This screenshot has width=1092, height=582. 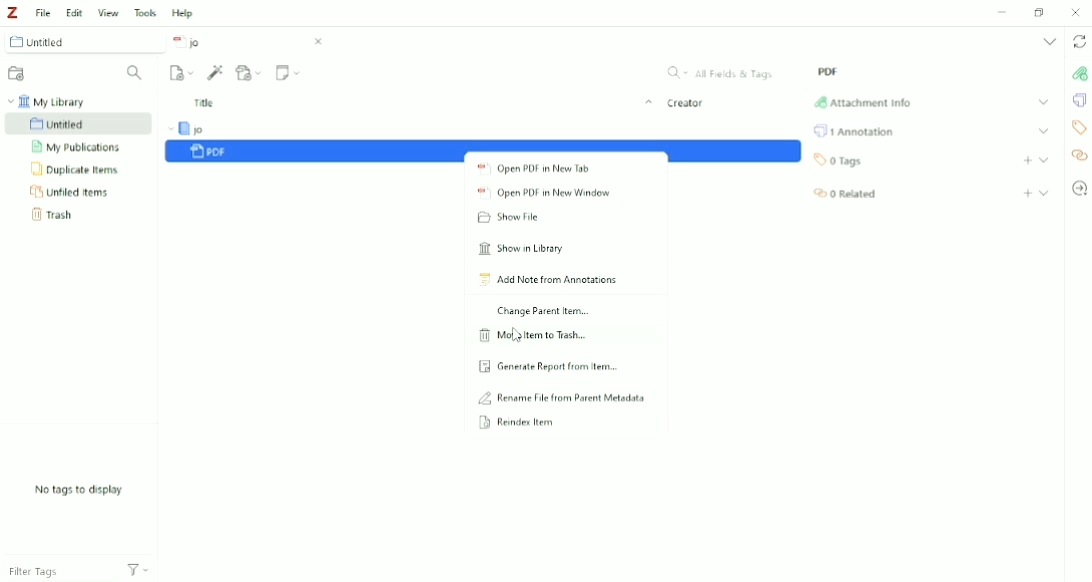 I want to click on New Collection, so click(x=18, y=73).